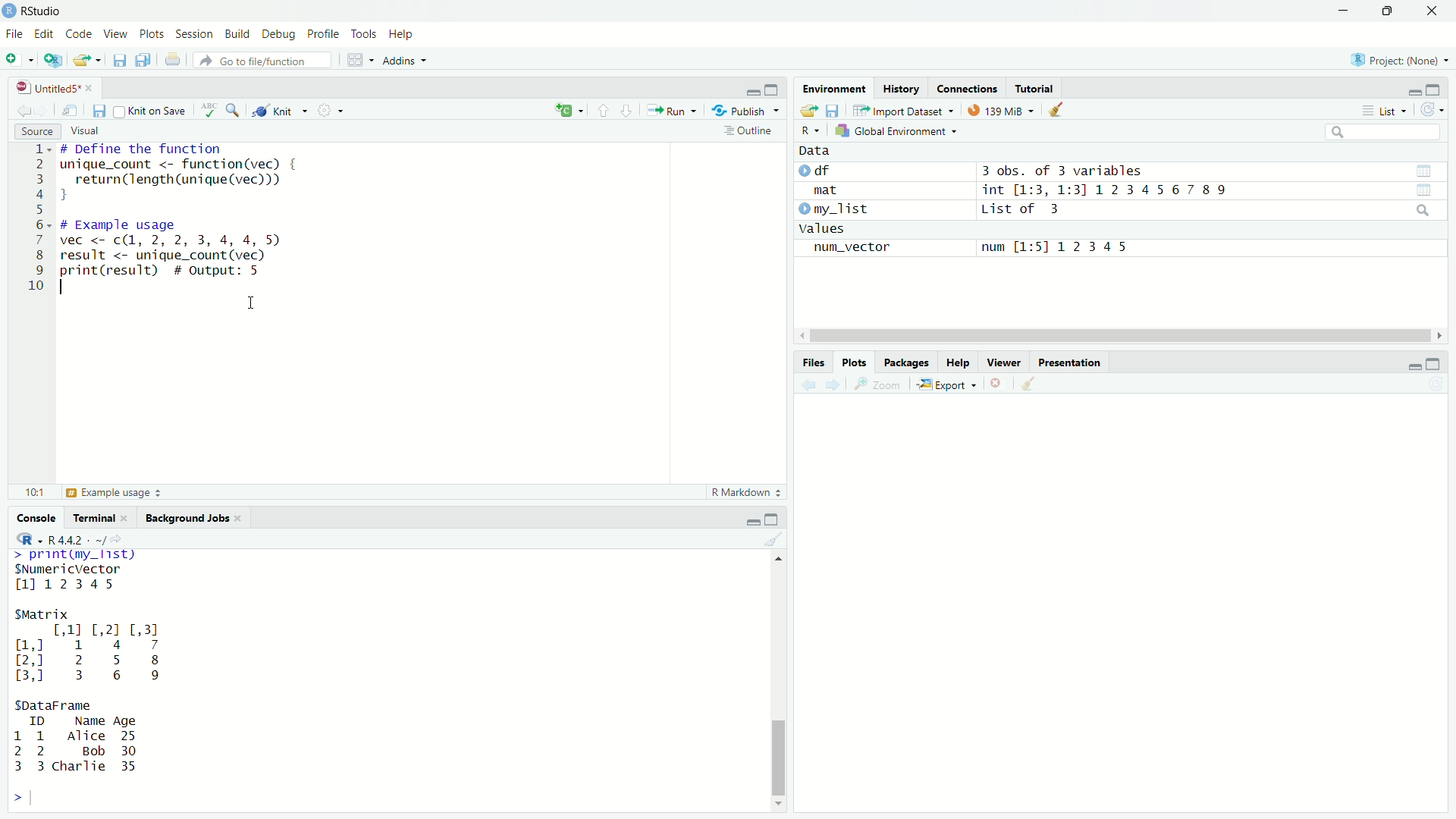 The height and width of the screenshot is (819, 1456). I want to click on Background, so click(189, 518).